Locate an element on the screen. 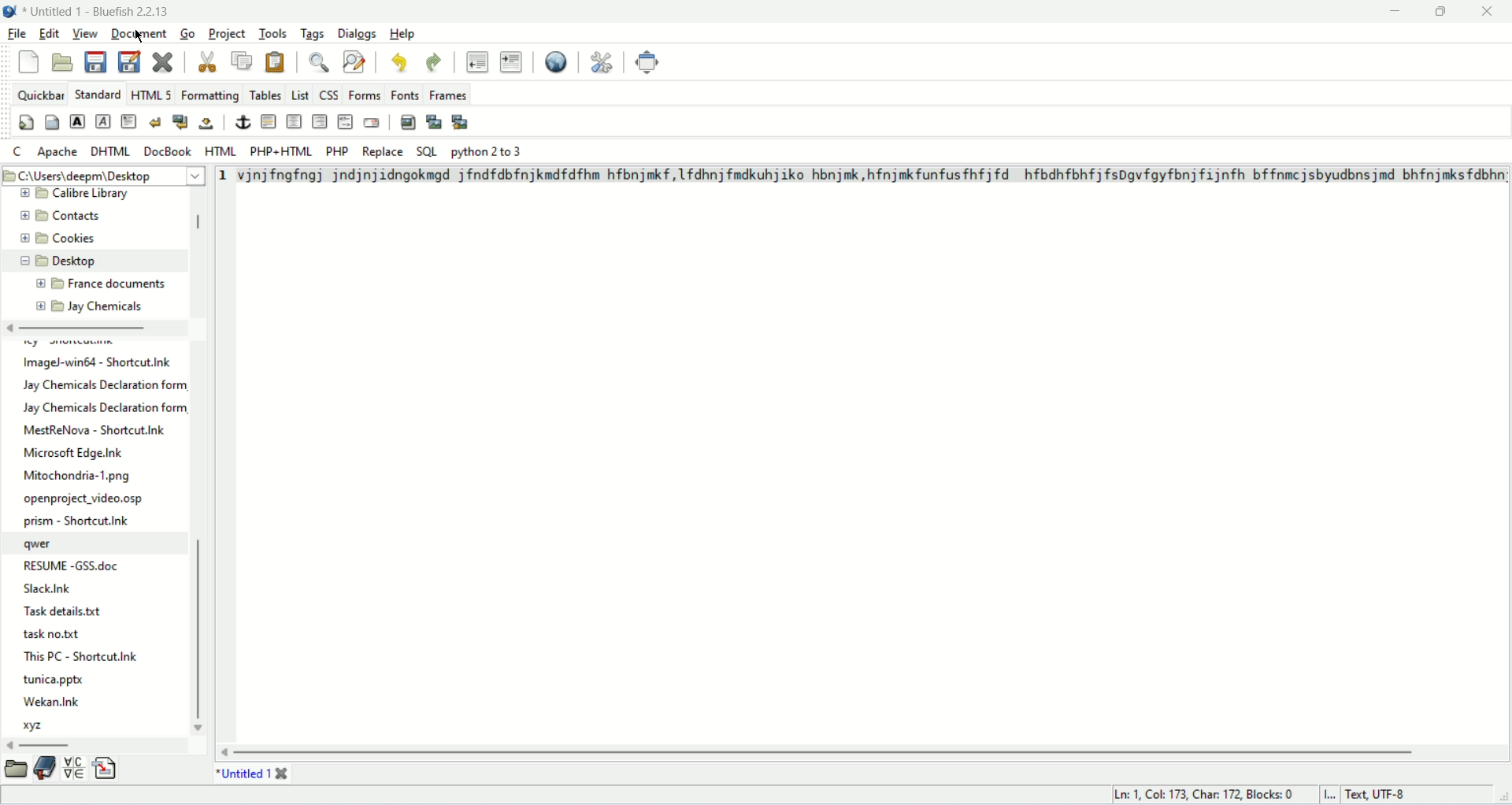 Image resolution: width=1512 pixels, height=805 pixels. horizontal scroll bar is located at coordinates (81, 329).